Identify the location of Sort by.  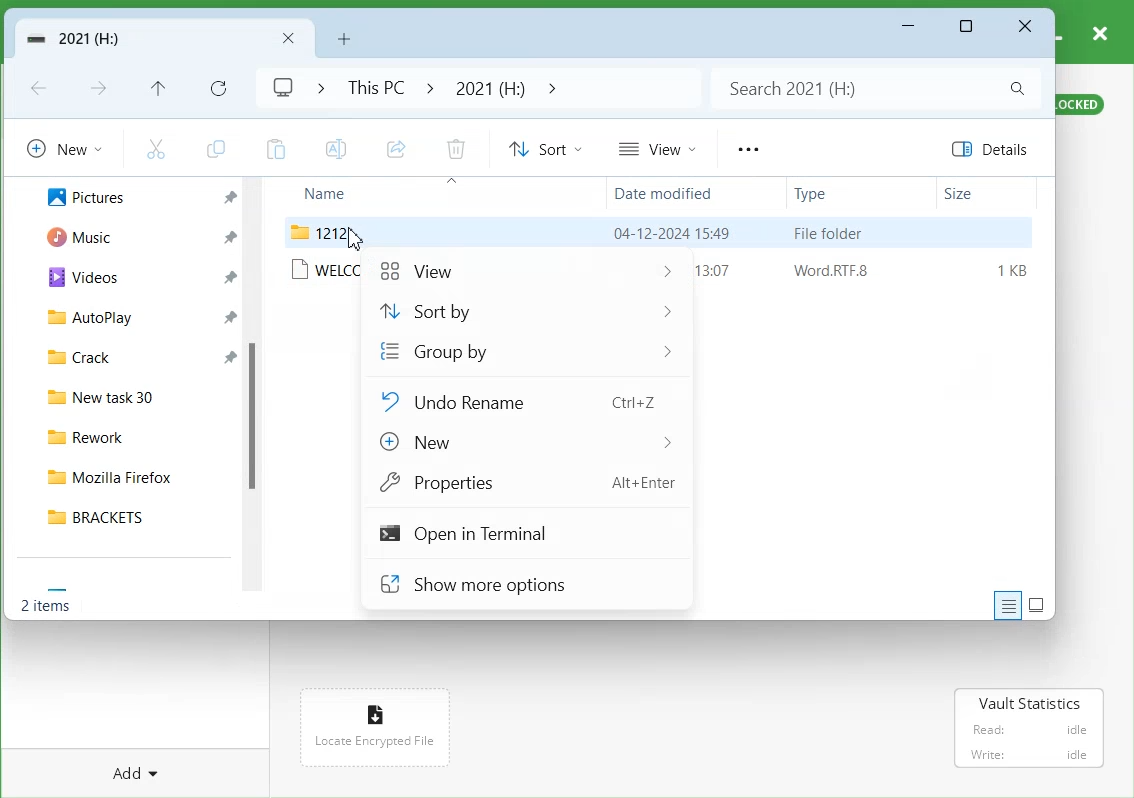
(526, 311).